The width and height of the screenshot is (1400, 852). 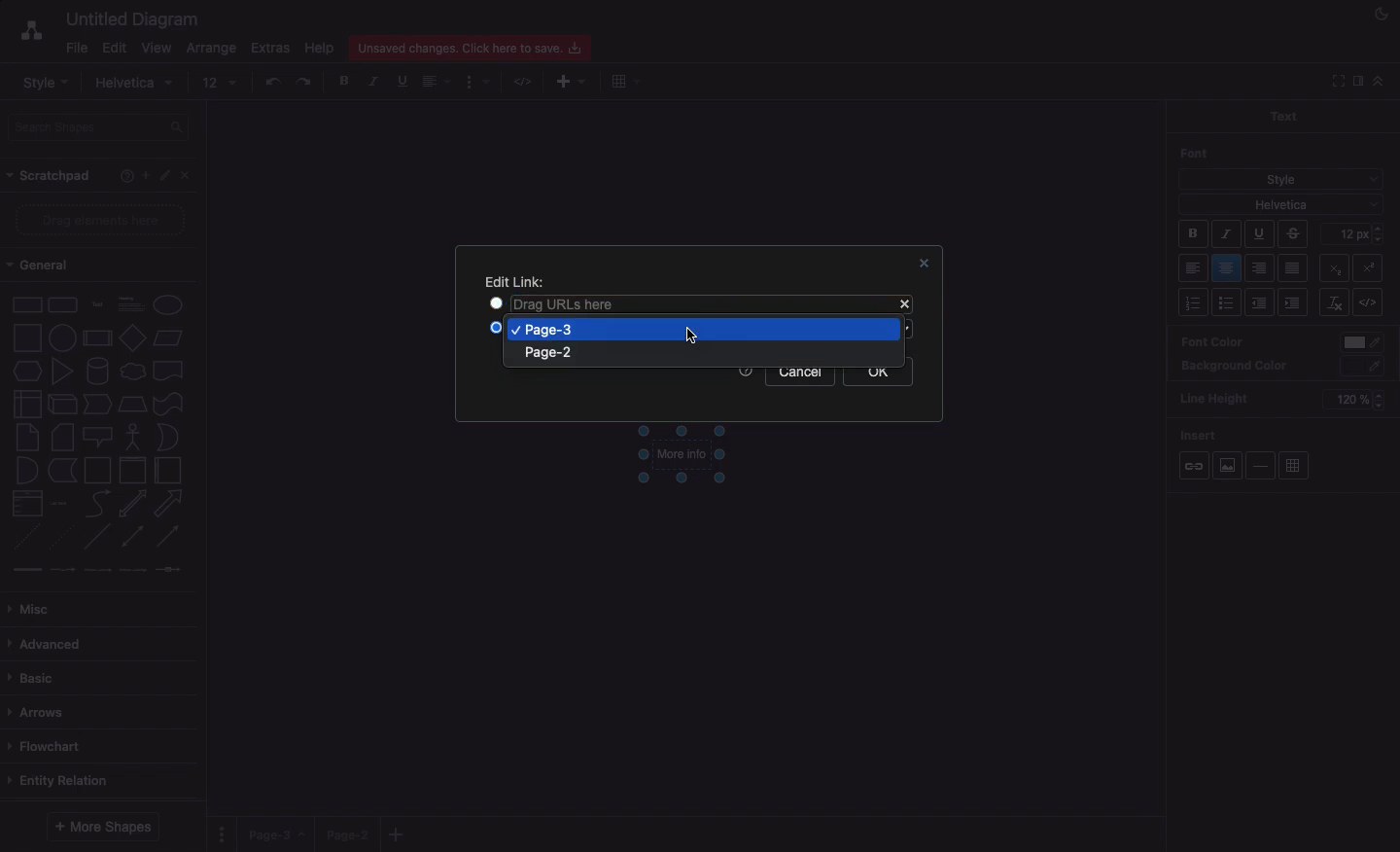 I want to click on bidirectional arrow, so click(x=131, y=504).